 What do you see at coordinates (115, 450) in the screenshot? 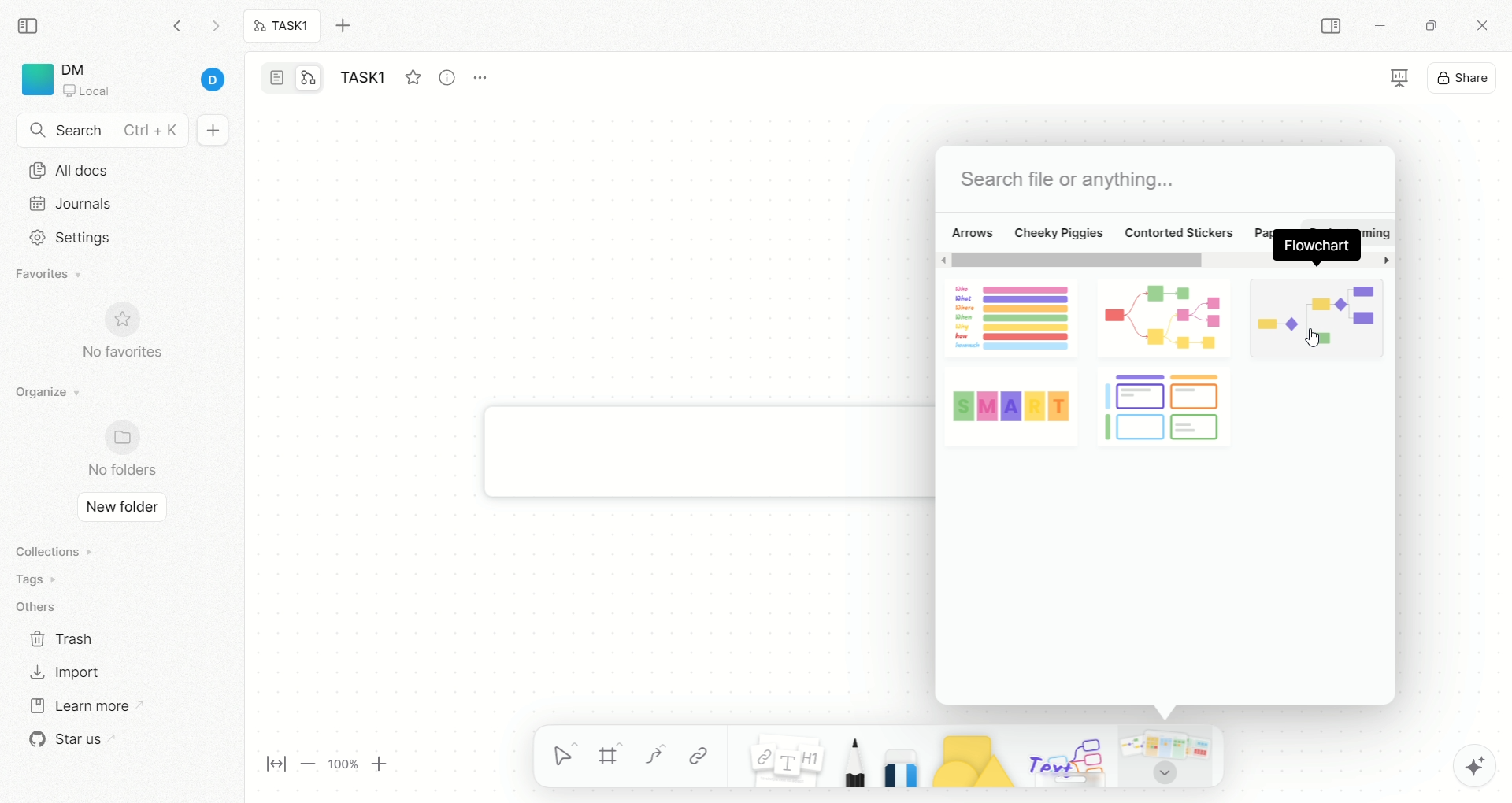
I see `no folder` at bounding box center [115, 450].